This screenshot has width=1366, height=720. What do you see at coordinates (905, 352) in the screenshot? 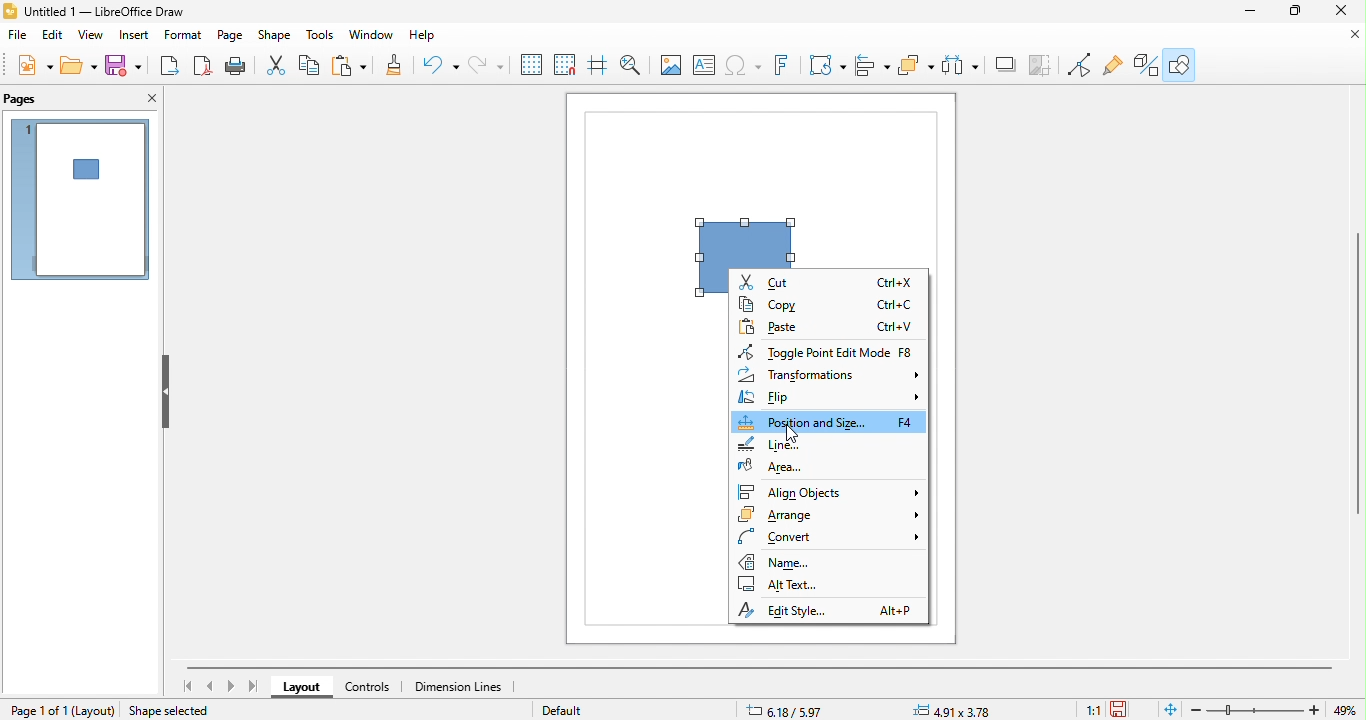
I see `Shortcut key` at bounding box center [905, 352].